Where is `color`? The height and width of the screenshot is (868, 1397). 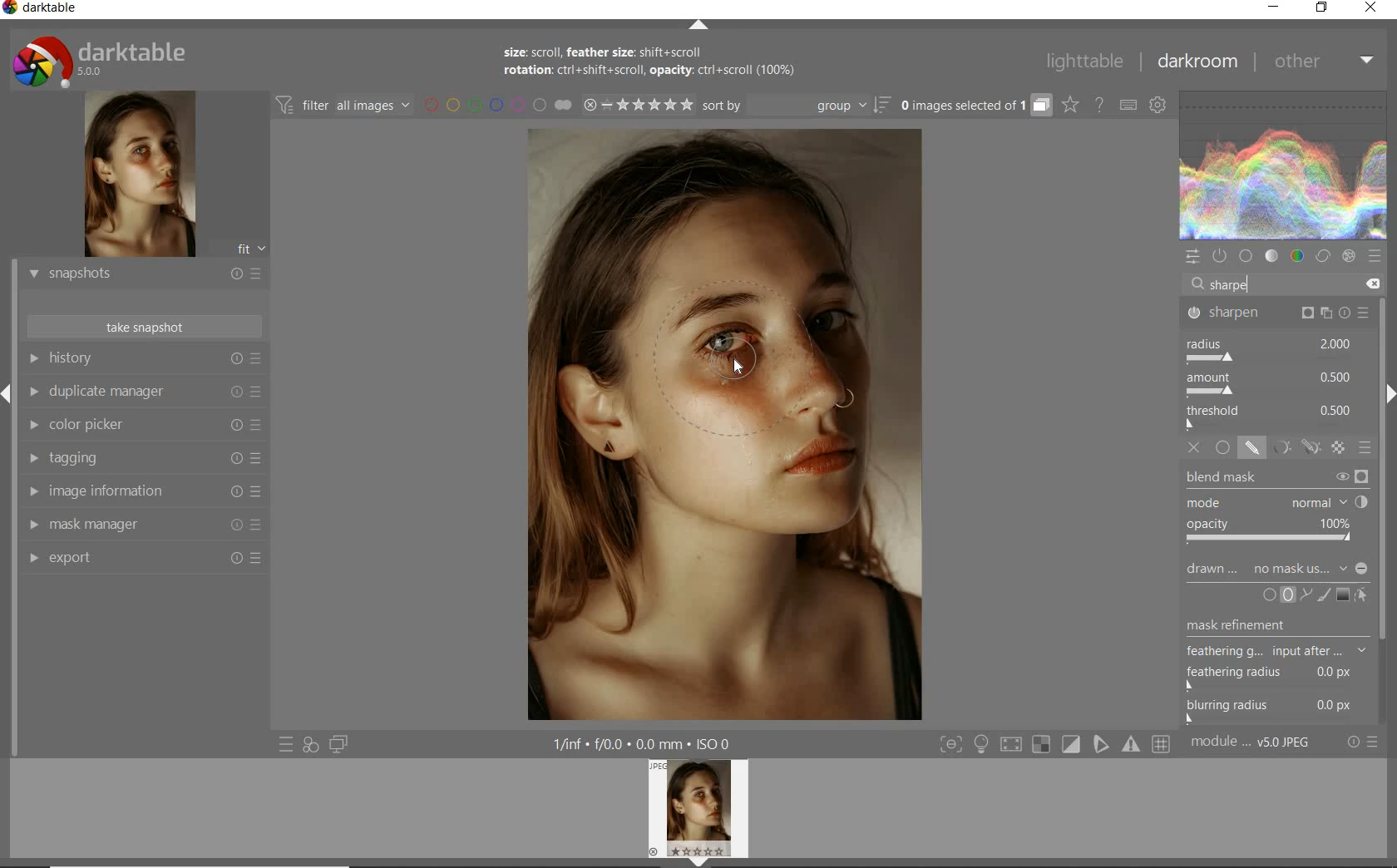
color is located at coordinates (1298, 258).